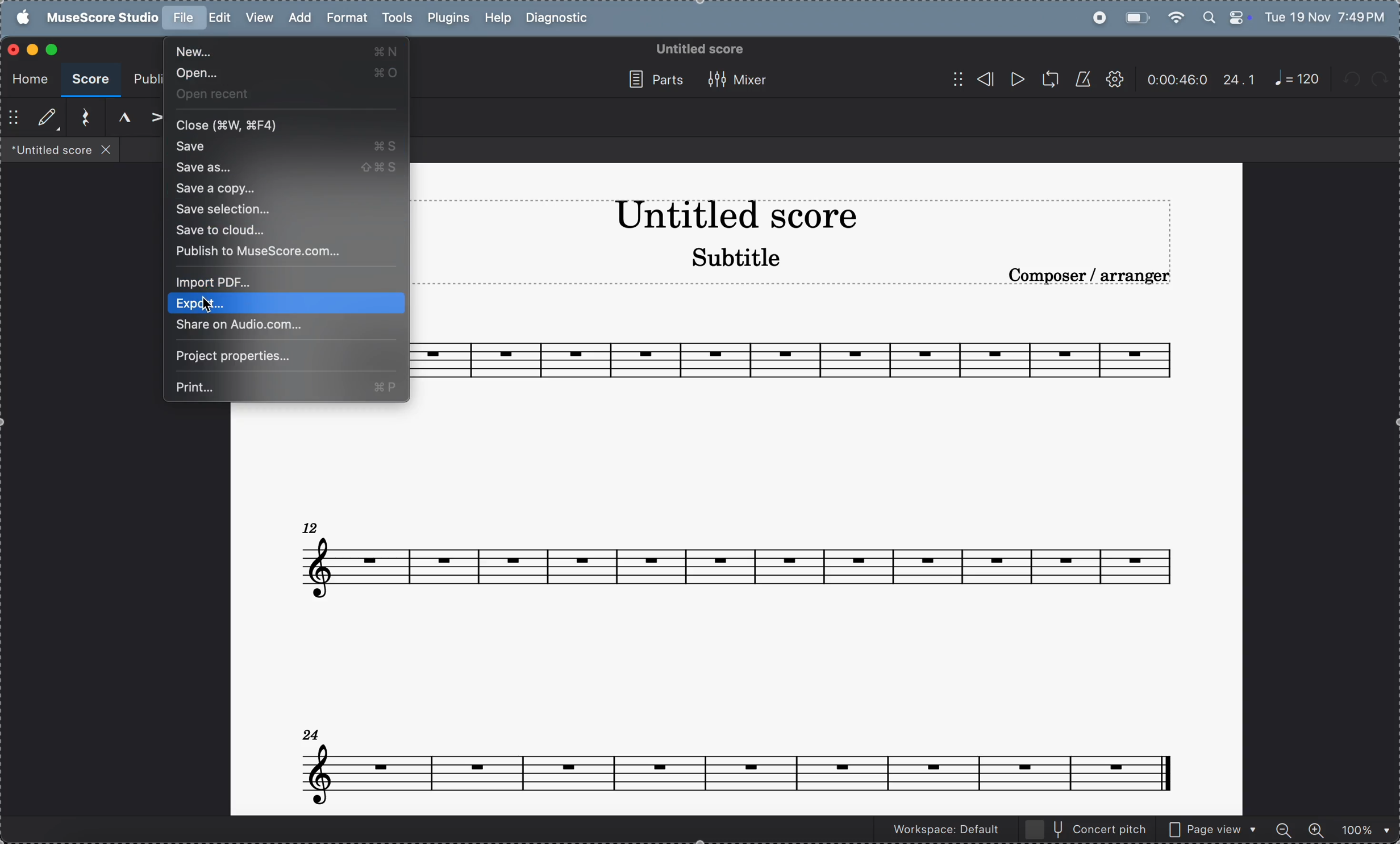  I want to click on subtitle, so click(734, 261).